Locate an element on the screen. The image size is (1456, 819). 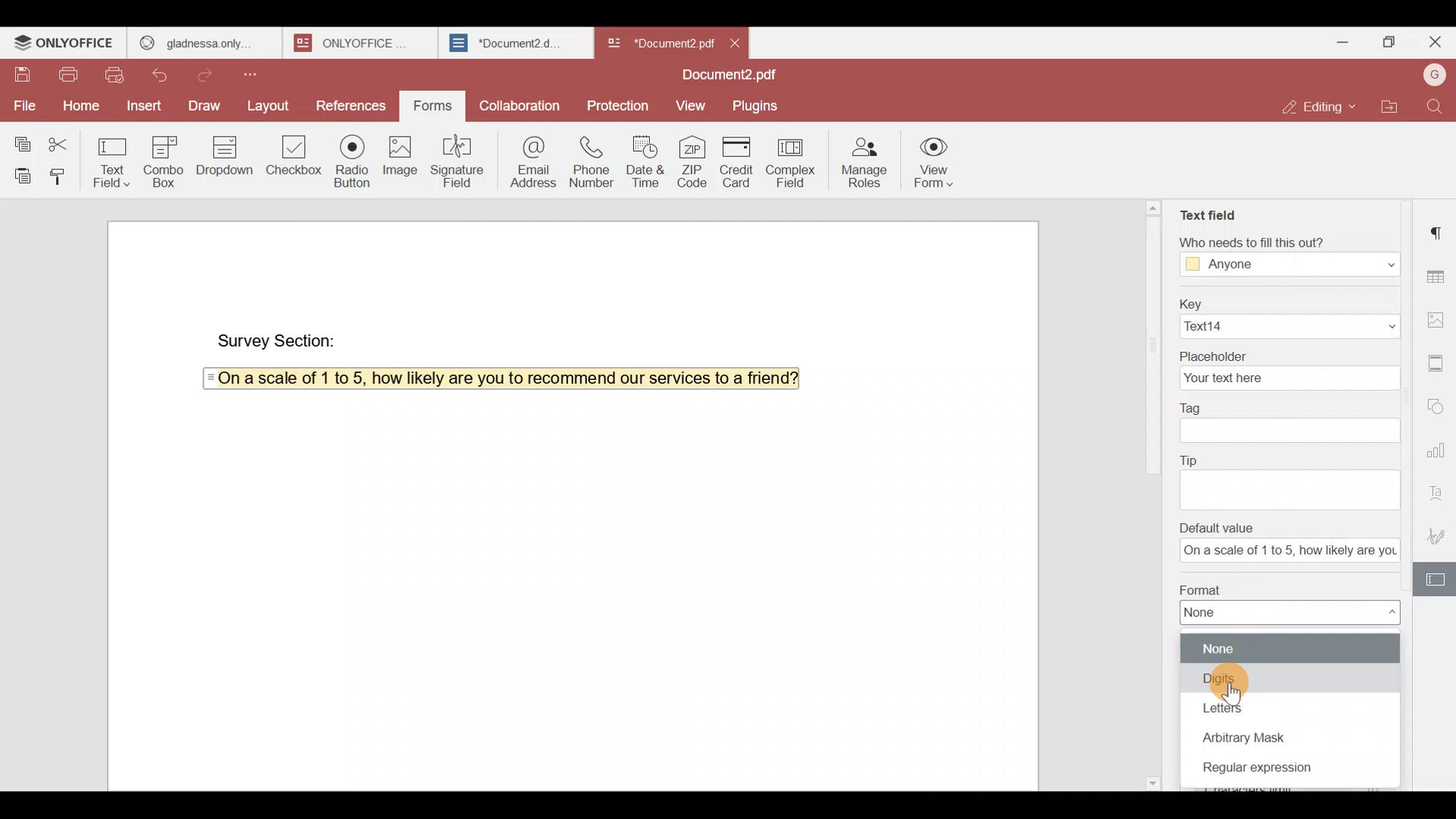
Maximize is located at coordinates (1392, 42).